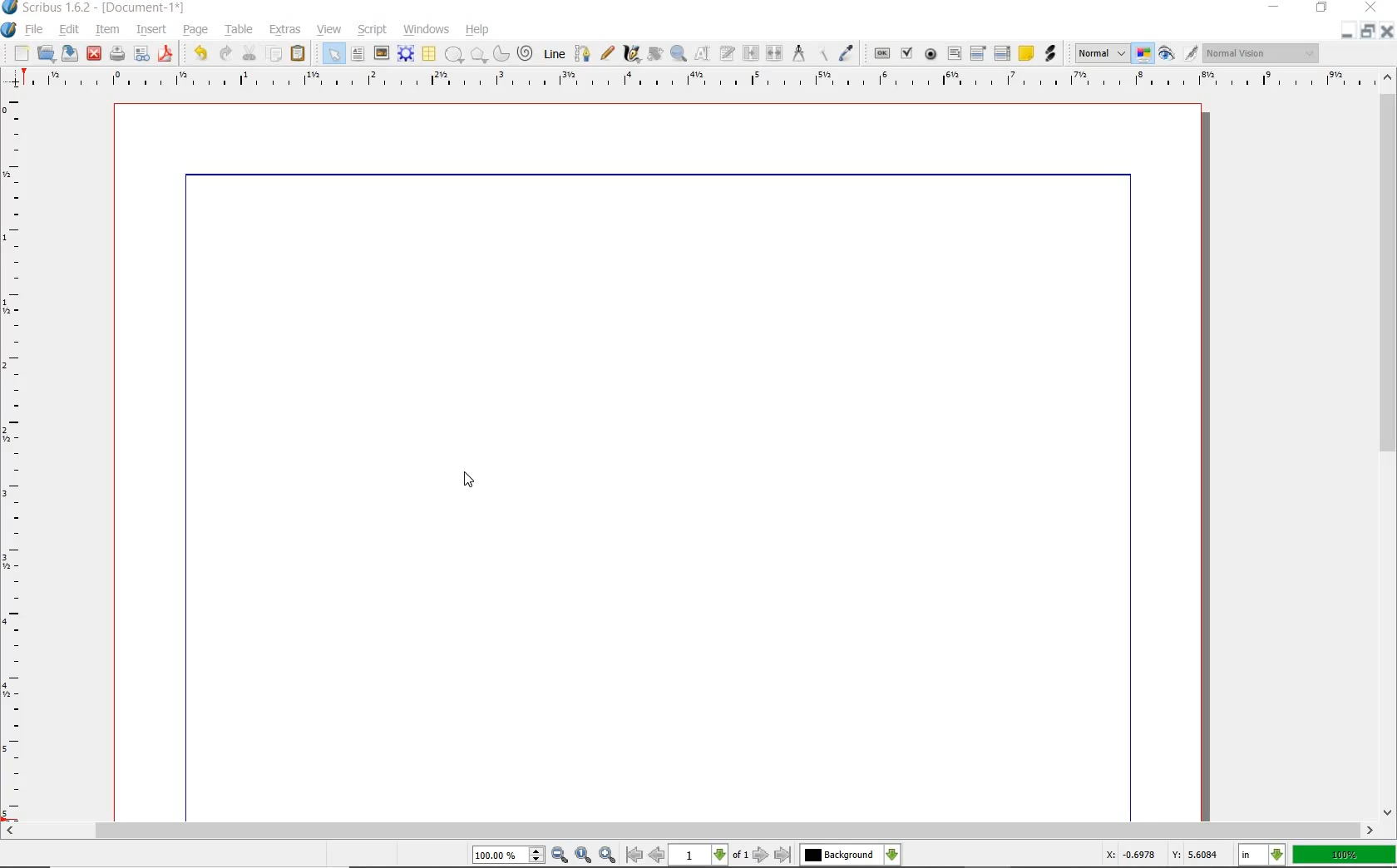  I want to click on SAVE, so click(70, 53).